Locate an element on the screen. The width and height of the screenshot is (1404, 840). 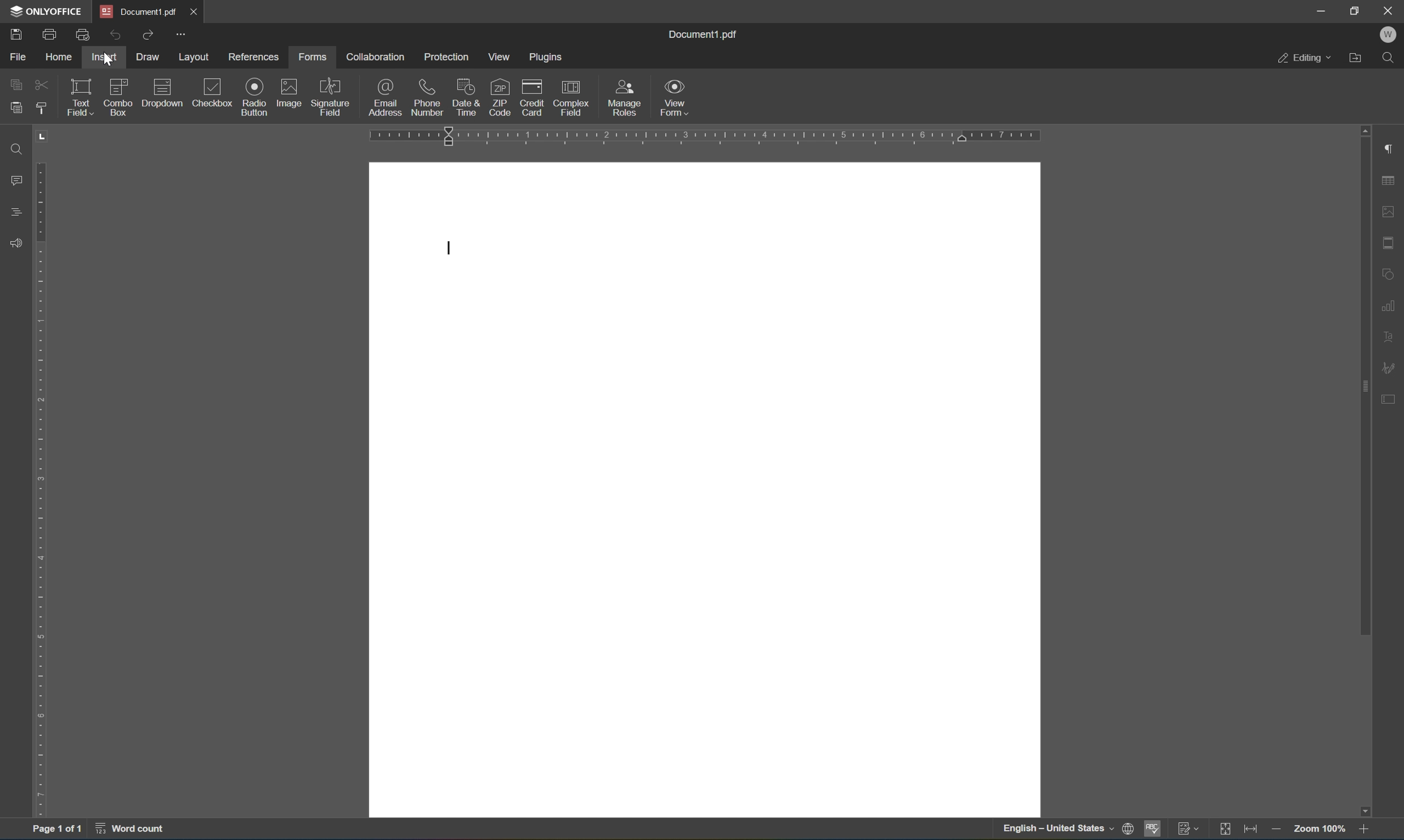
english - united states is located at coordinates (1059, 830).